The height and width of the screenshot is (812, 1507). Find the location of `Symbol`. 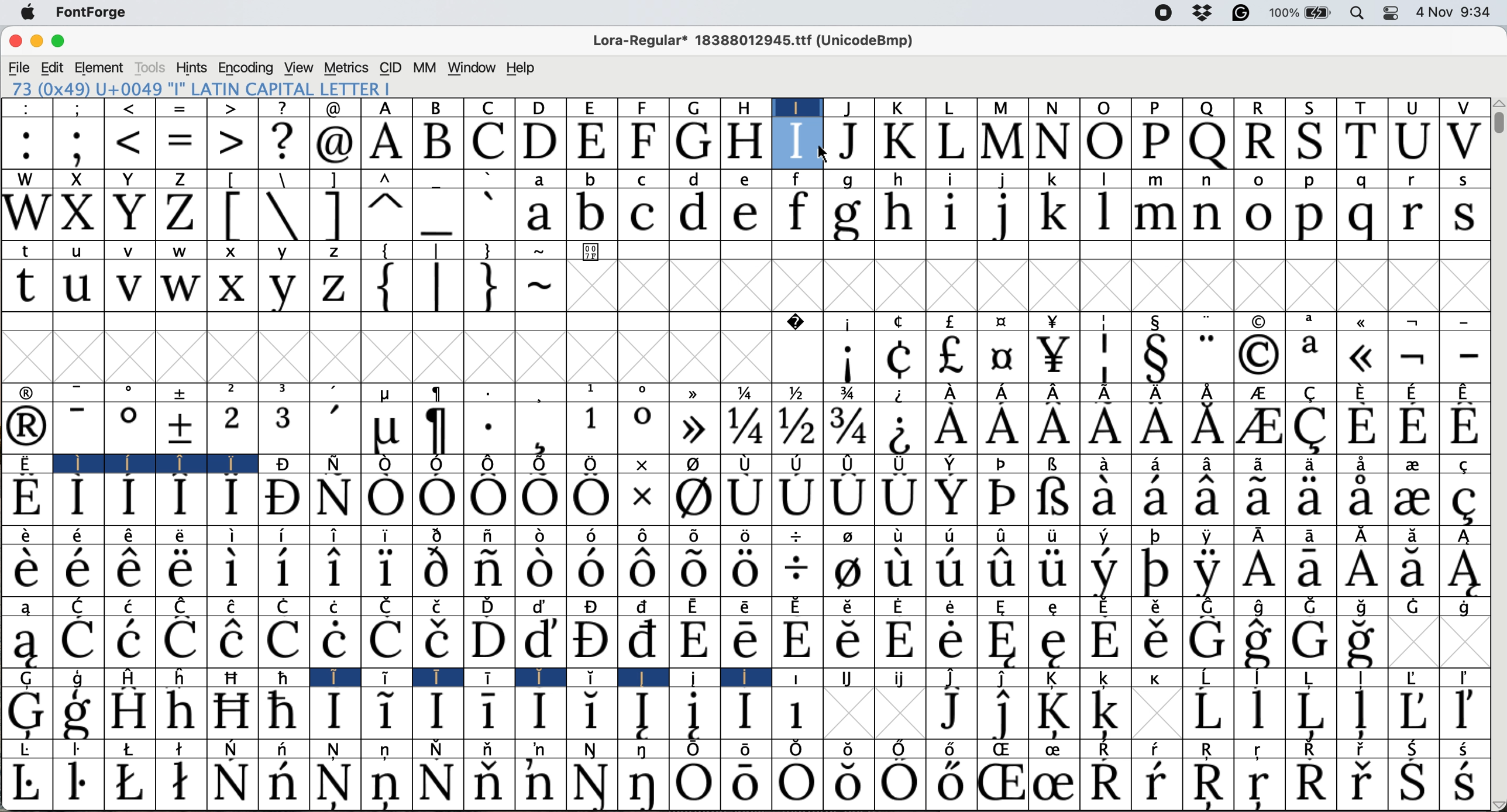

Symbol is located at coordinates (282, 711).